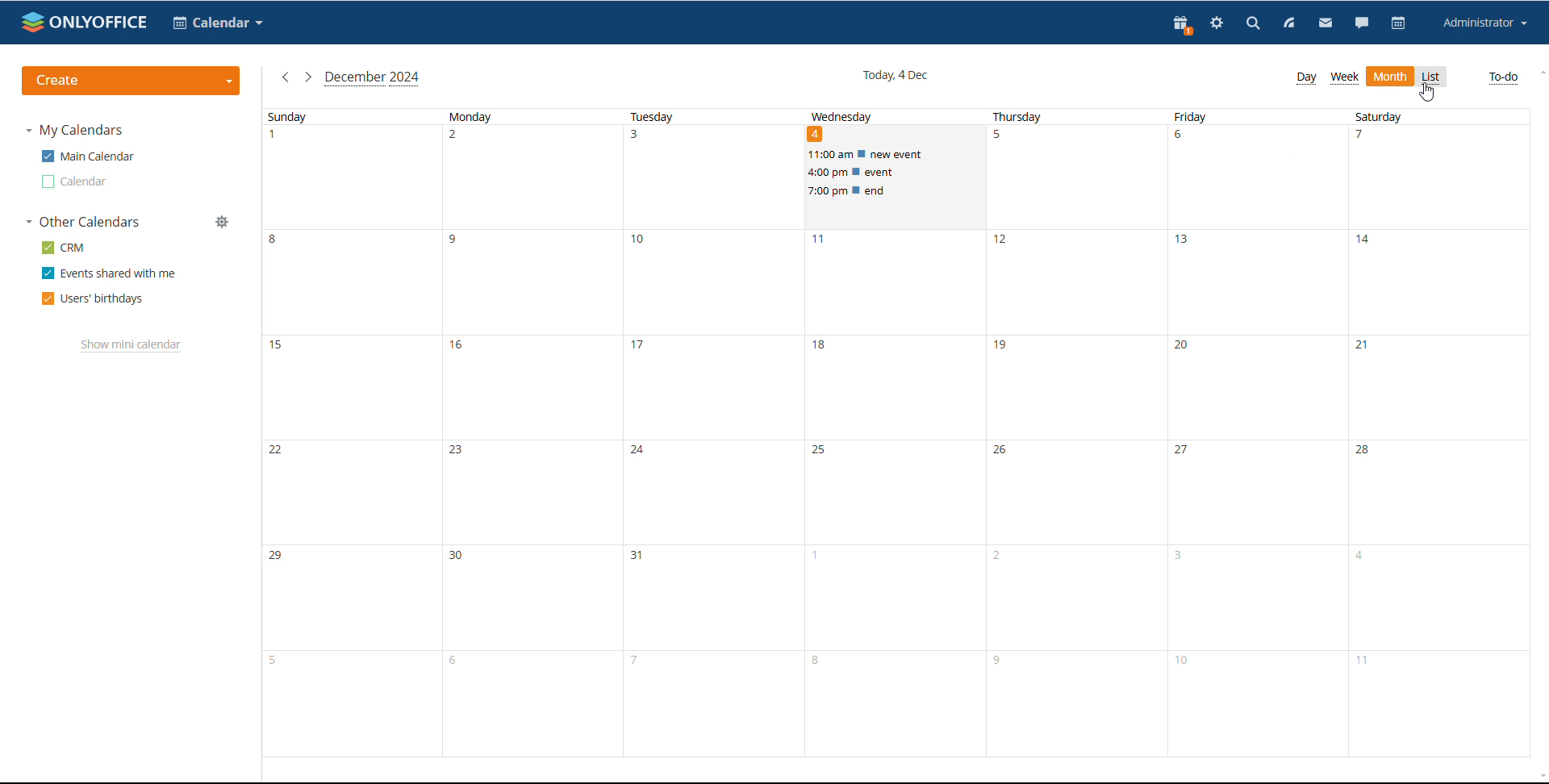  What do you see at coordinates (1439, 434) in the screenshot?
I see `saturday` at bounding box center [1439, 434].